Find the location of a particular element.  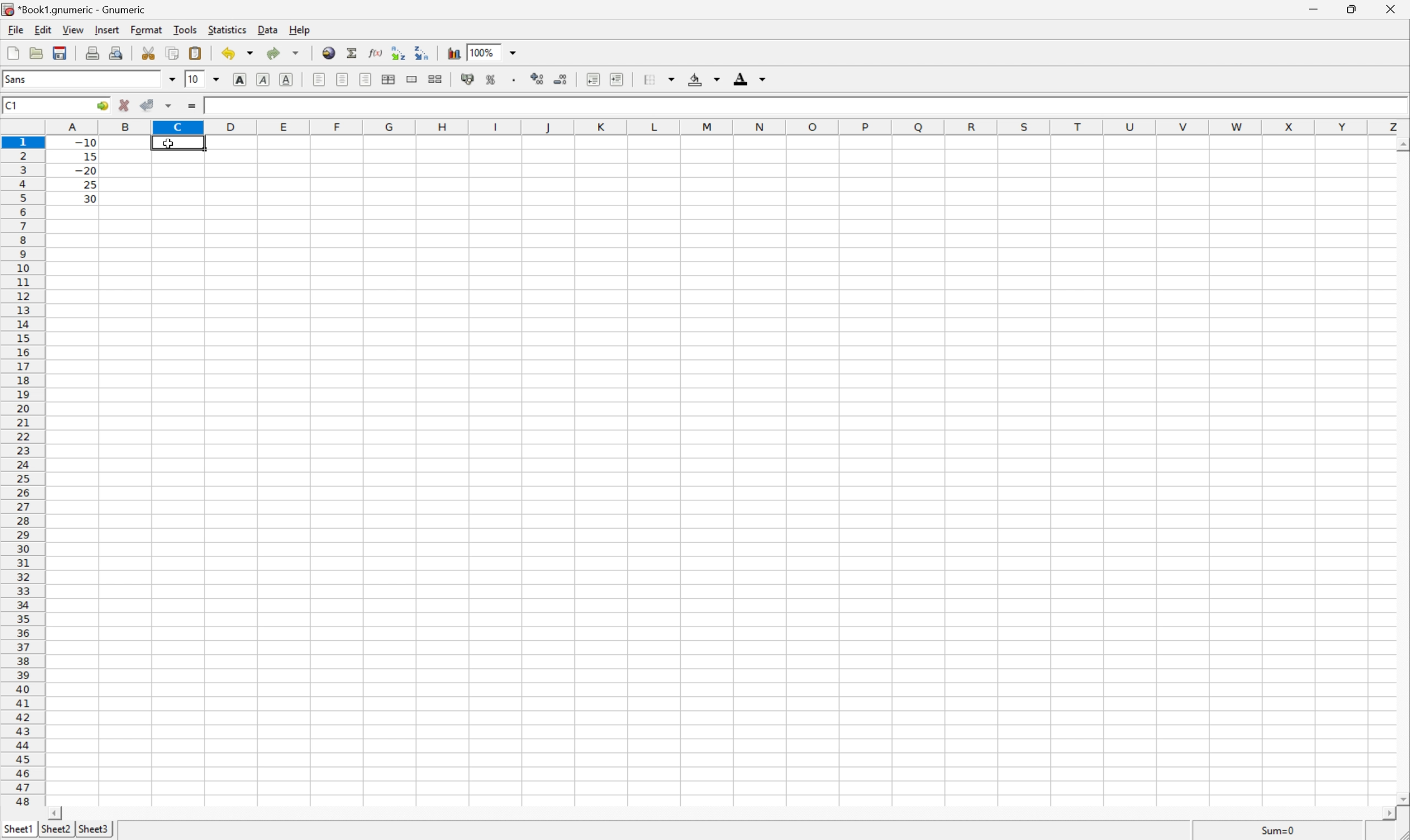

-20 is located at coordinates (86, 171).